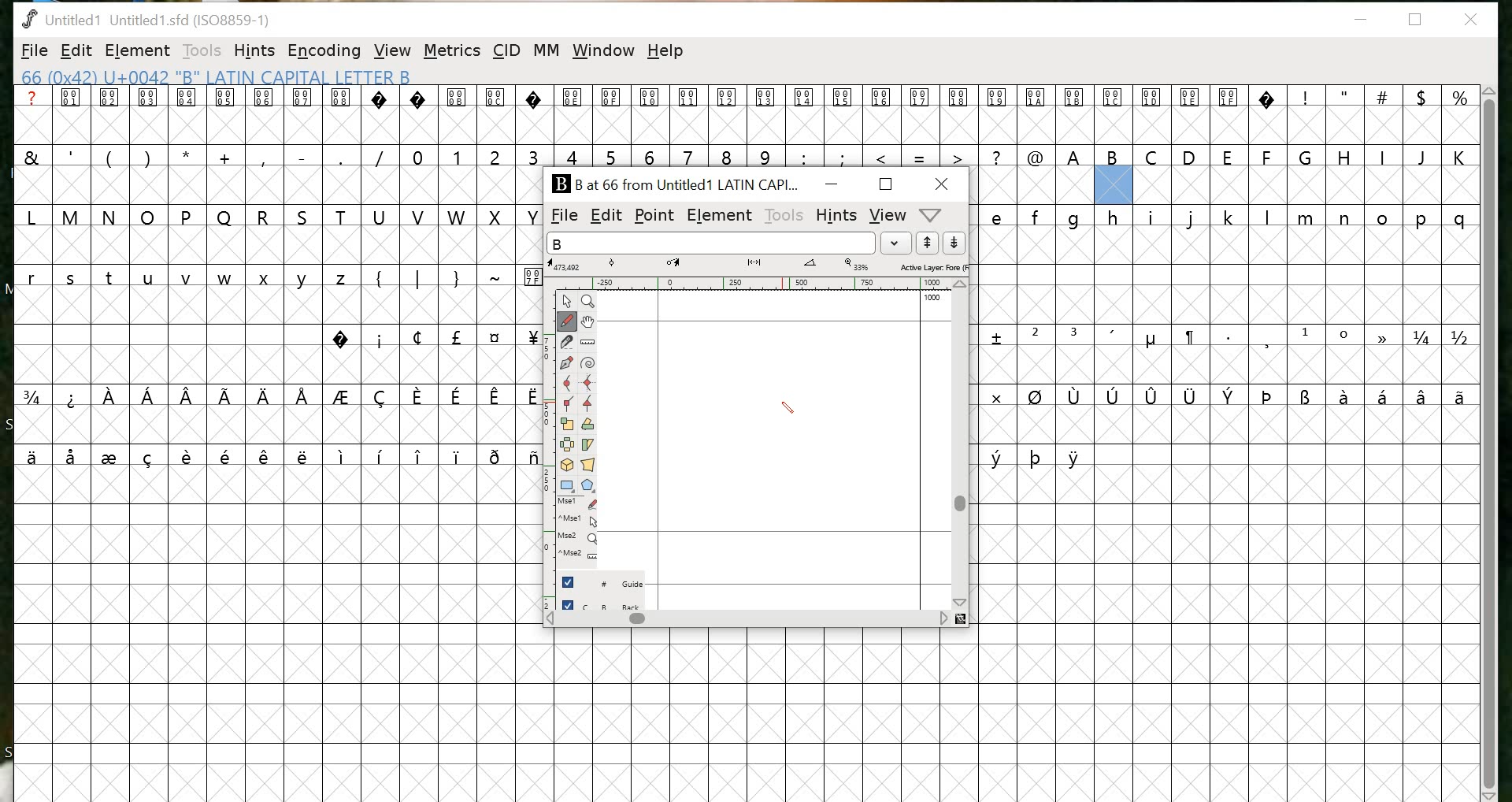 The image size is (1512, 802). What do you see at coordinates (962, 445) in the screenshot?
I see `scrollbar` at bounding box center [962, 445].